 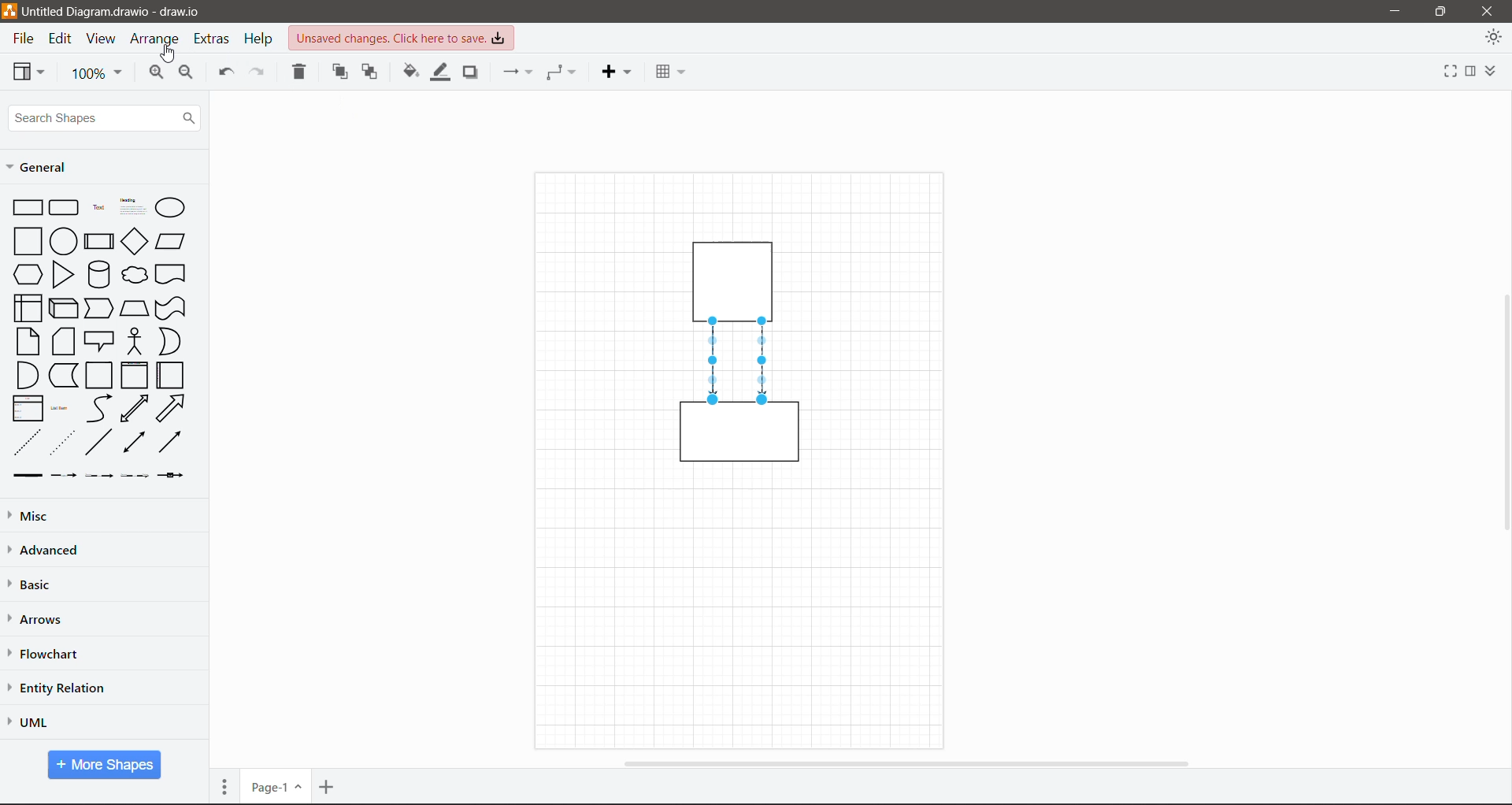 What do you see at coordinates (175, 475) in the screenshot?
I see `connector with symbol` at bounding box center [175, 475].